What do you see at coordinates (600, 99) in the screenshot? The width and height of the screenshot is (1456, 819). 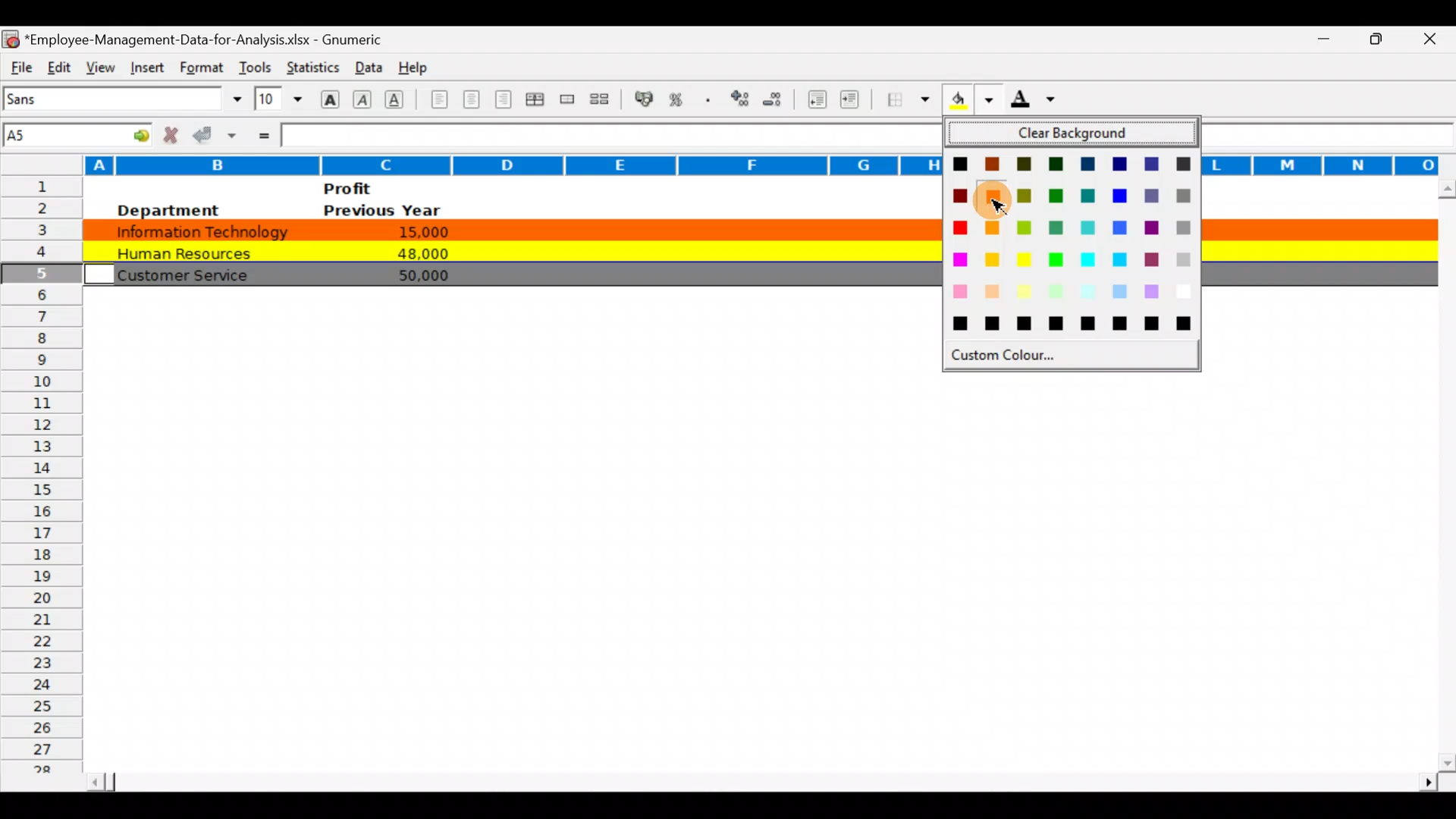 I see `Split merged range of cells` at bounding box center [600, 99].